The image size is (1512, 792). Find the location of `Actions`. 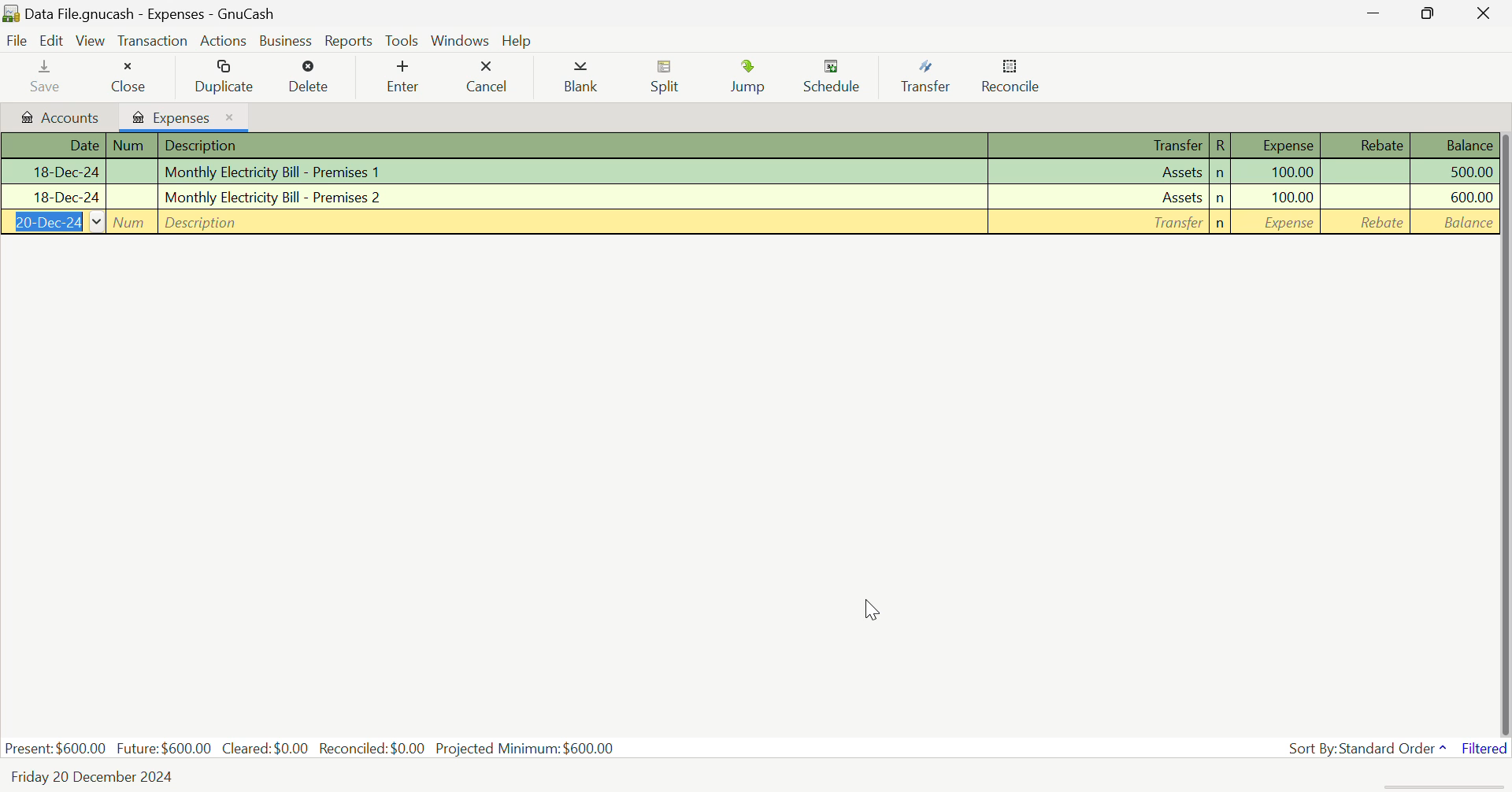

Actions is located at coordinates (225, 40).